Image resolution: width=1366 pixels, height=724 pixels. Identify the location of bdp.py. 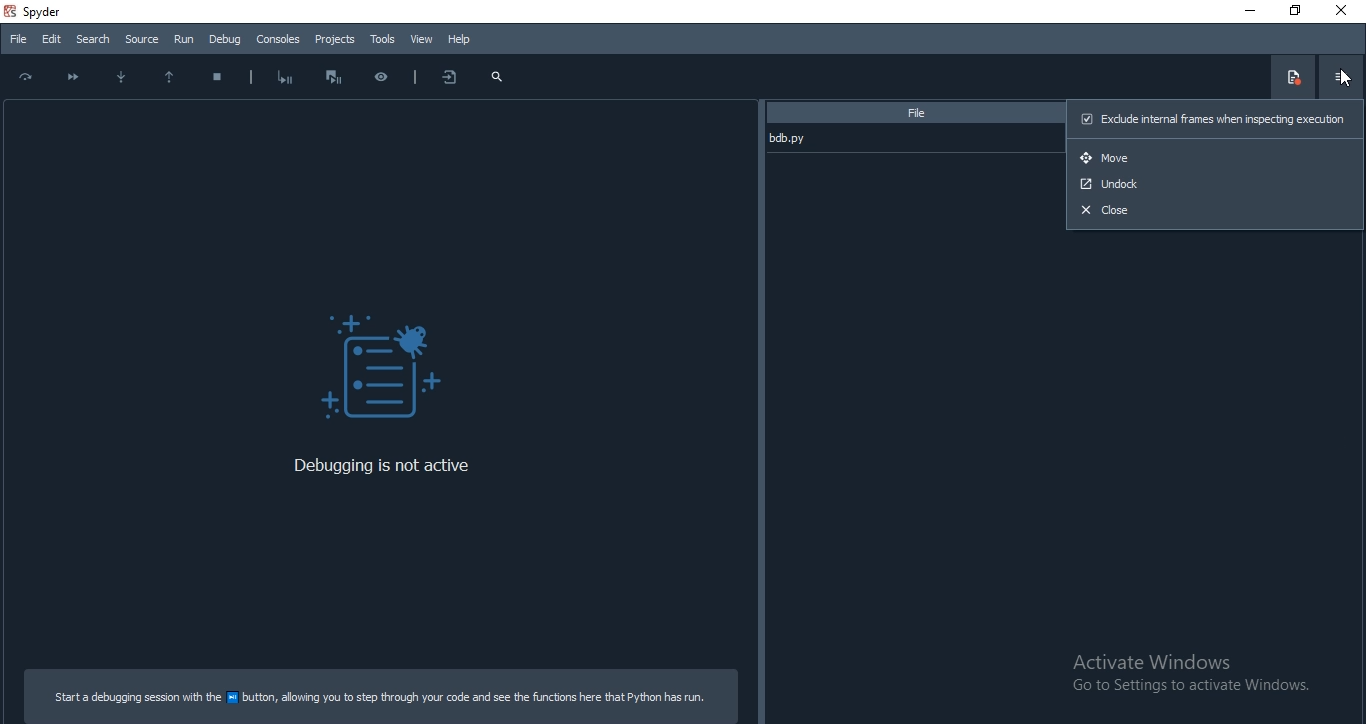
(913, 138).